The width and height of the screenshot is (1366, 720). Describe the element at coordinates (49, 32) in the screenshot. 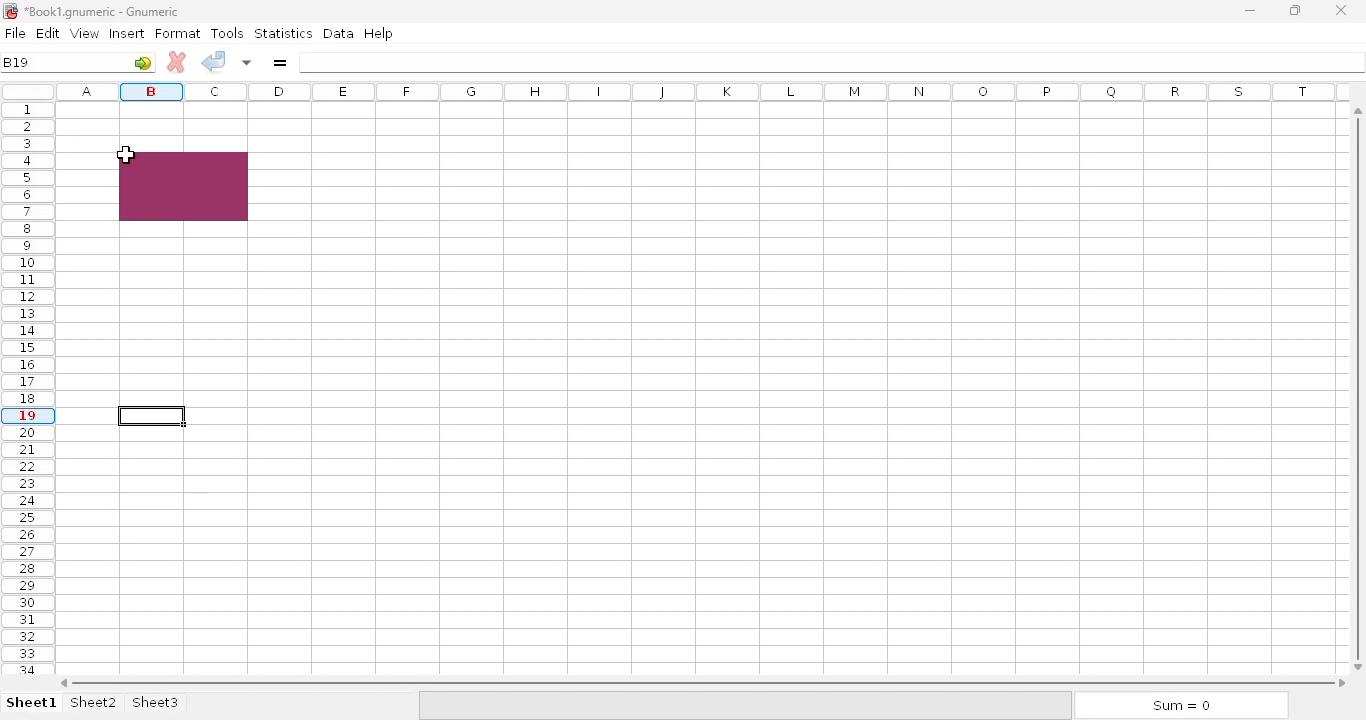

I see `edit` at that location.